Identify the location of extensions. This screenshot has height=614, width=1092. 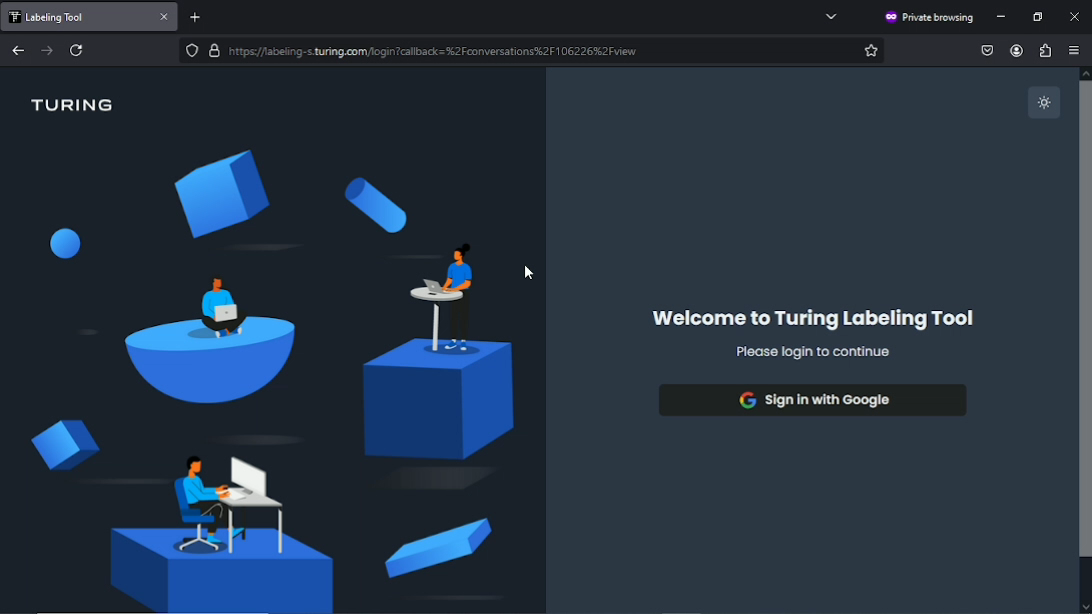
(1044, 50).